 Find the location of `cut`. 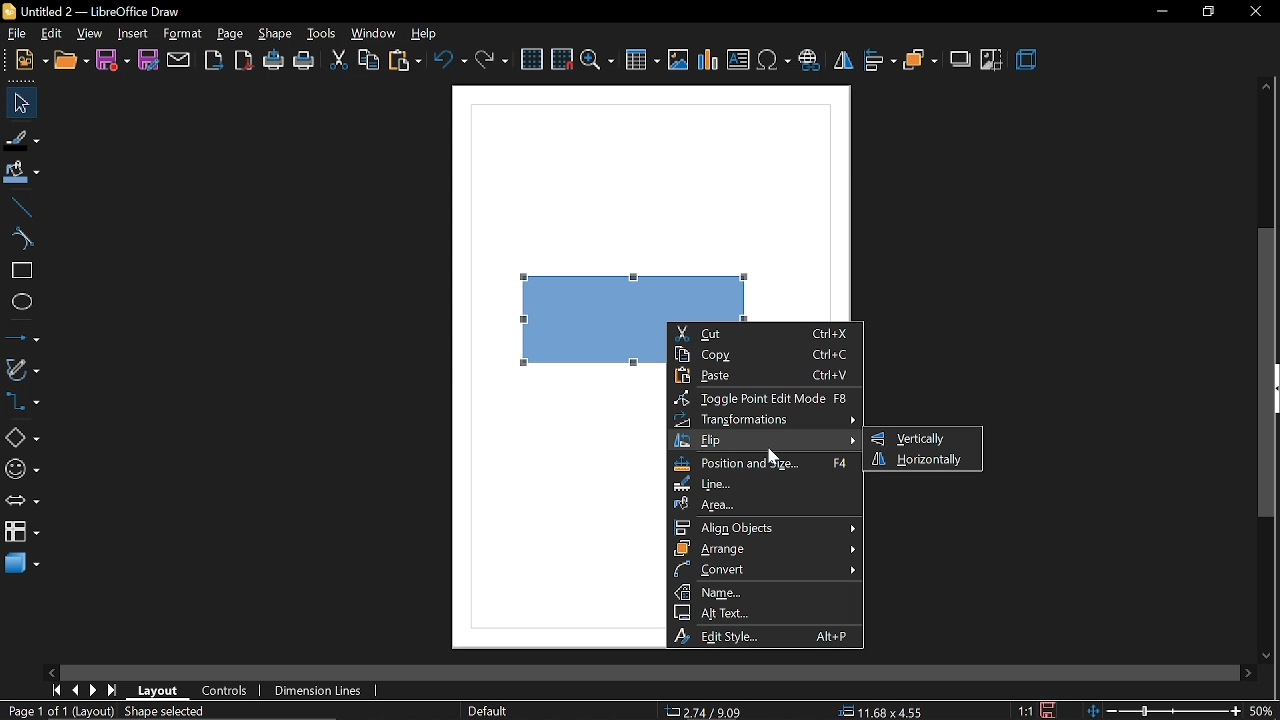

cut is located at coordinates (766, 333).